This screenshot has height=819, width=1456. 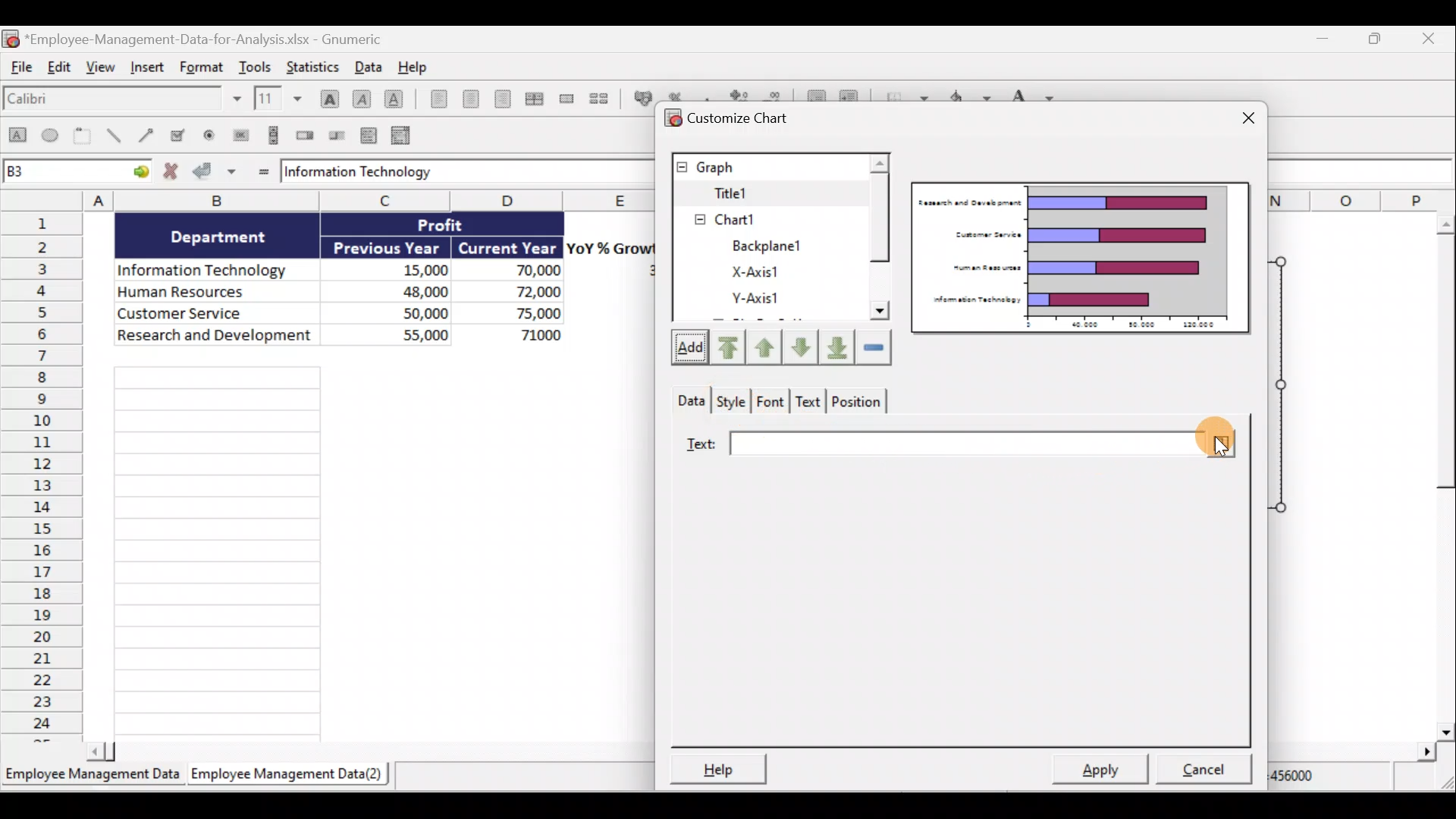 What do you see at coordinates (1080, 261) in the screenshot?
I see `Chart preview` at bounding box center [1080, 261].